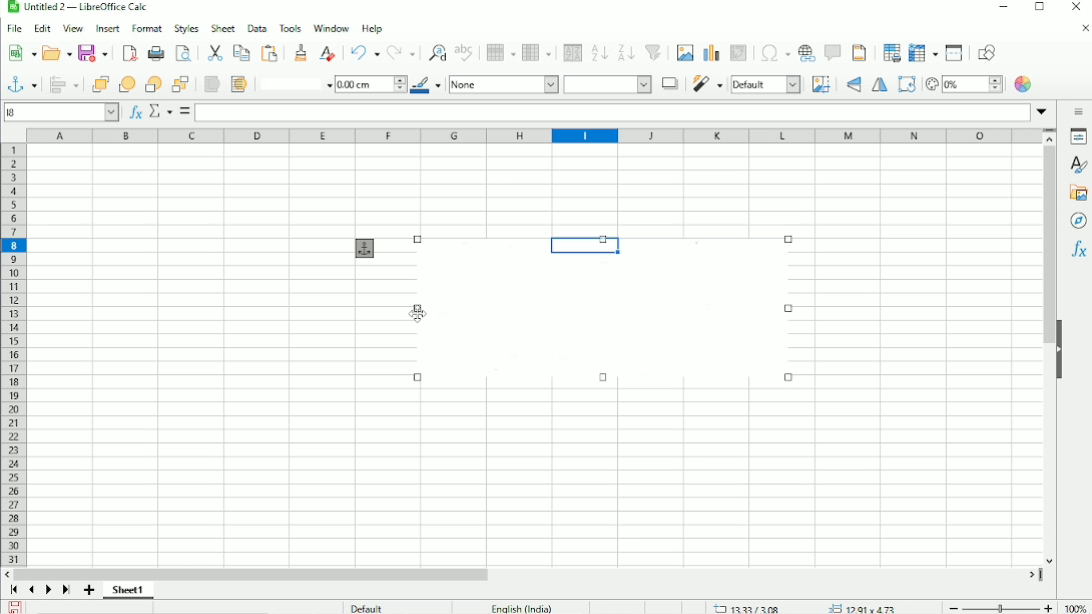  Describe the element at coordinates (806, 607) in the screenshot. I see `Cursor position` at that location.